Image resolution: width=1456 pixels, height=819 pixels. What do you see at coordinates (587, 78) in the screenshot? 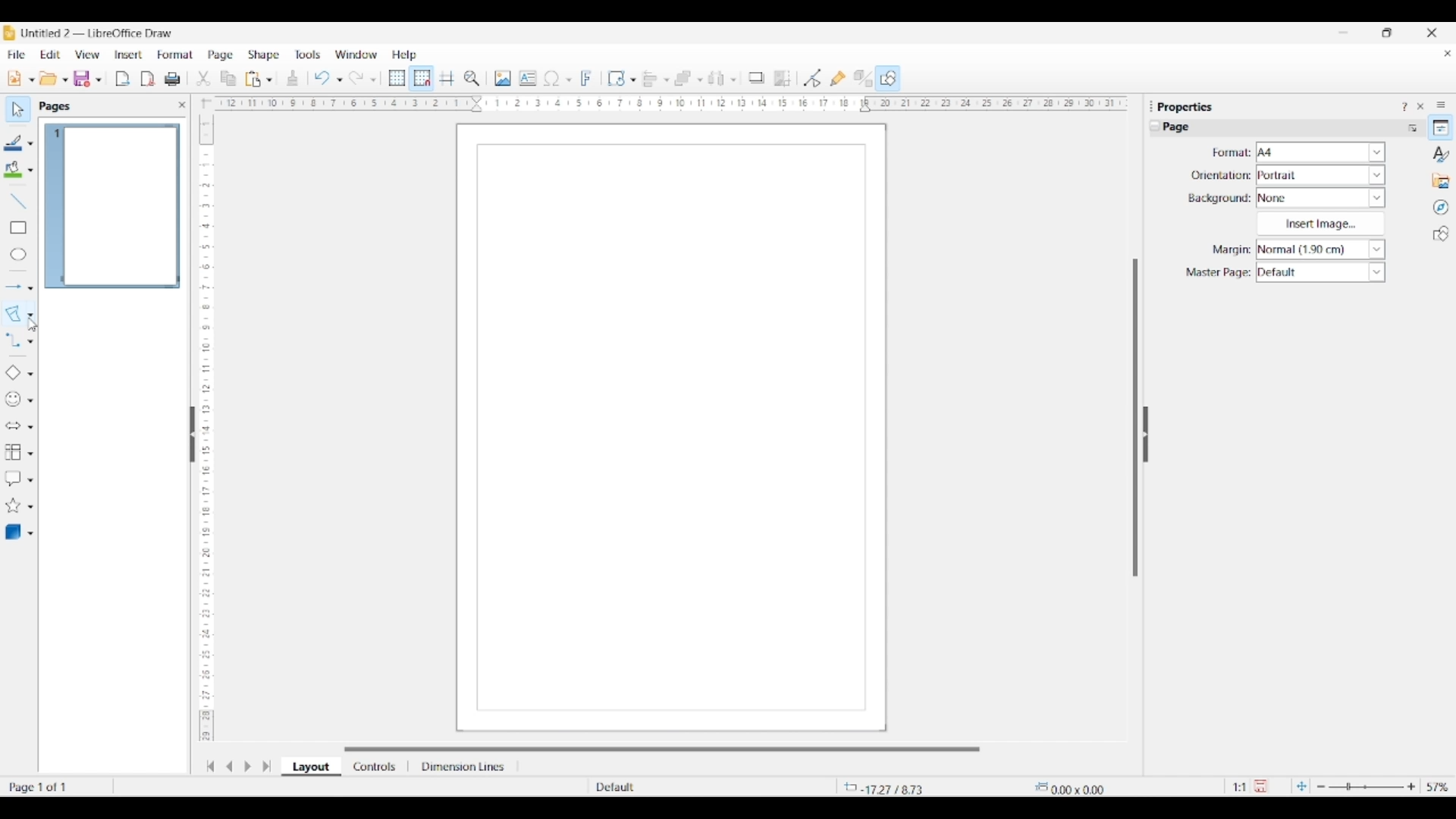
I see `Insert fontwork text` at bounding box center [587, 78].